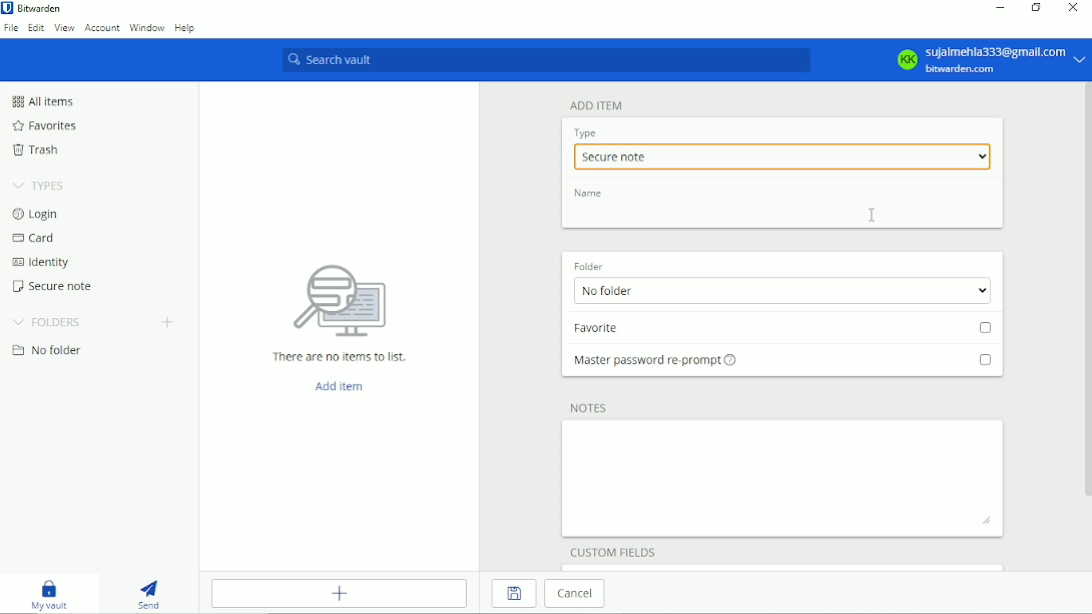 Image resolution: width=1092 pixels, height=614 pixels. What do you see at coordinates (874, 214) in the screenshot?
I see `Cursor` at bounding box center [874, 214].